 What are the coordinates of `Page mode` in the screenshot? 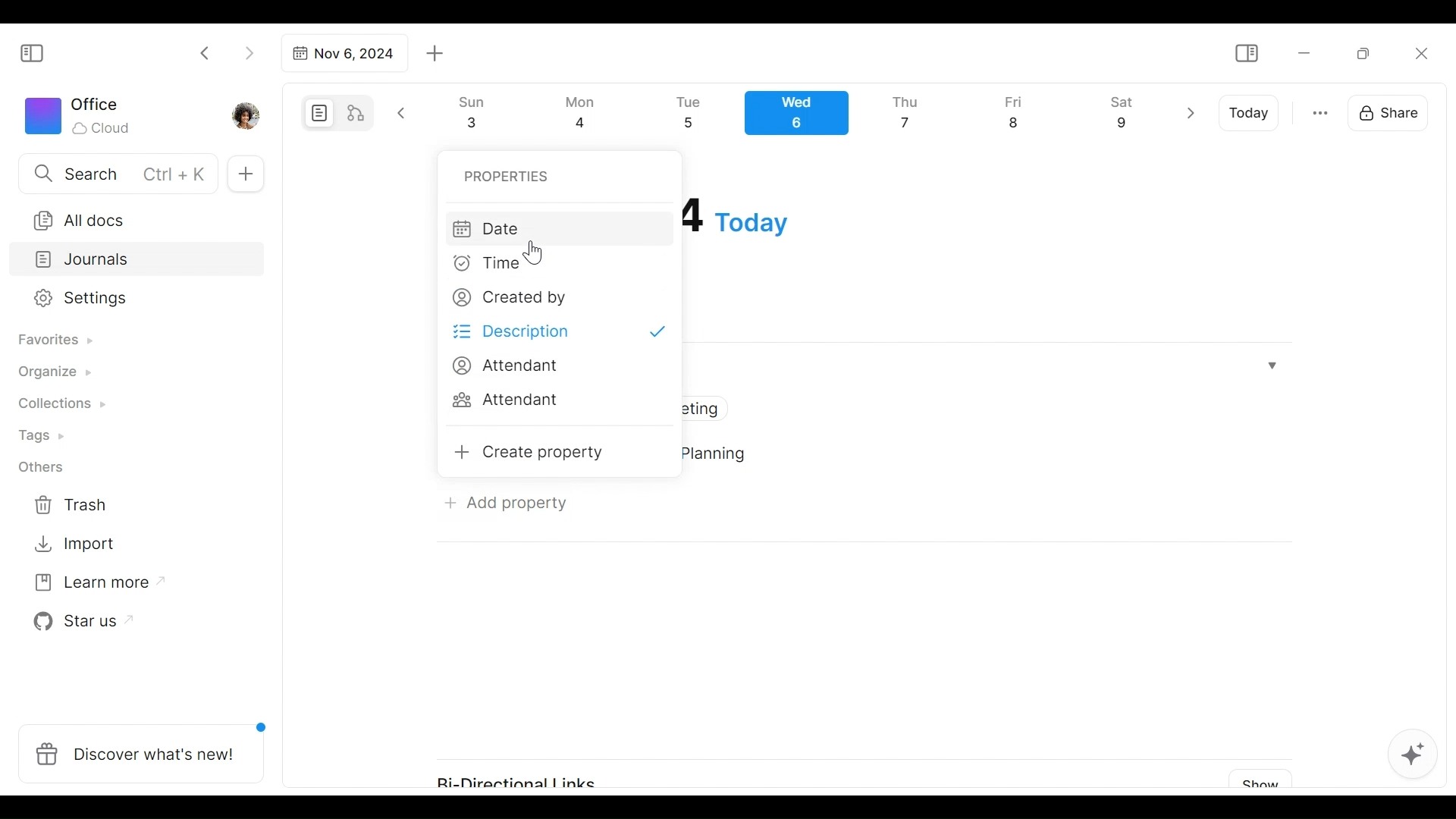 It's located at (317, 113).